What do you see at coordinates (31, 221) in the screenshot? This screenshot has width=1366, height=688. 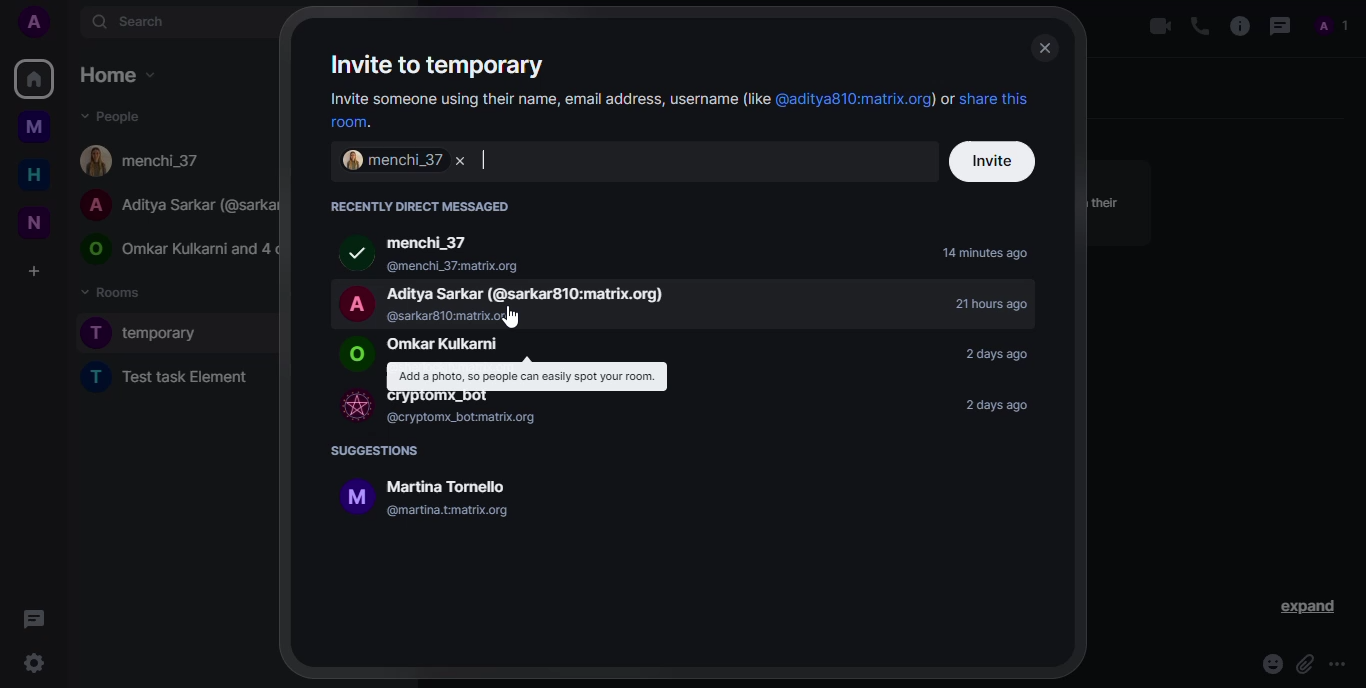 I see `new` at bounding box center [31, 221].